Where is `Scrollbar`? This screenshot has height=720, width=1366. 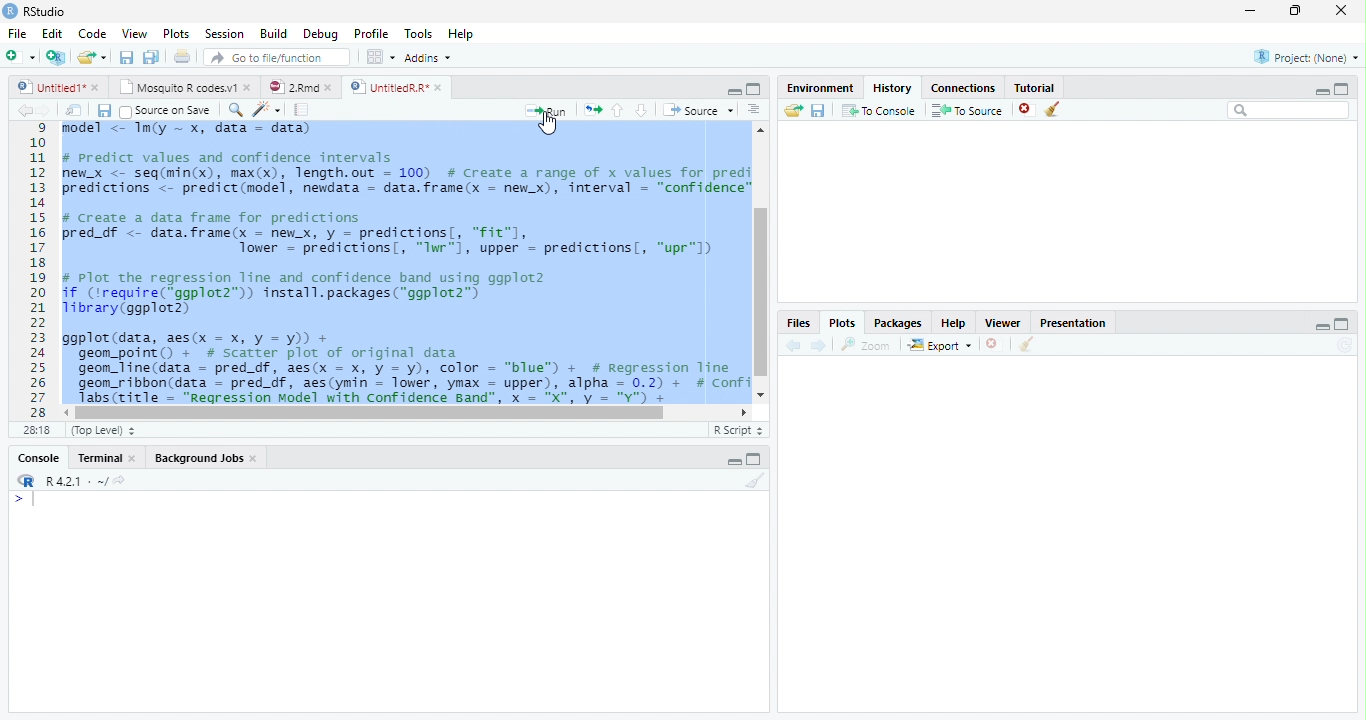
Scrollbar is located at coordinates (761, 263).